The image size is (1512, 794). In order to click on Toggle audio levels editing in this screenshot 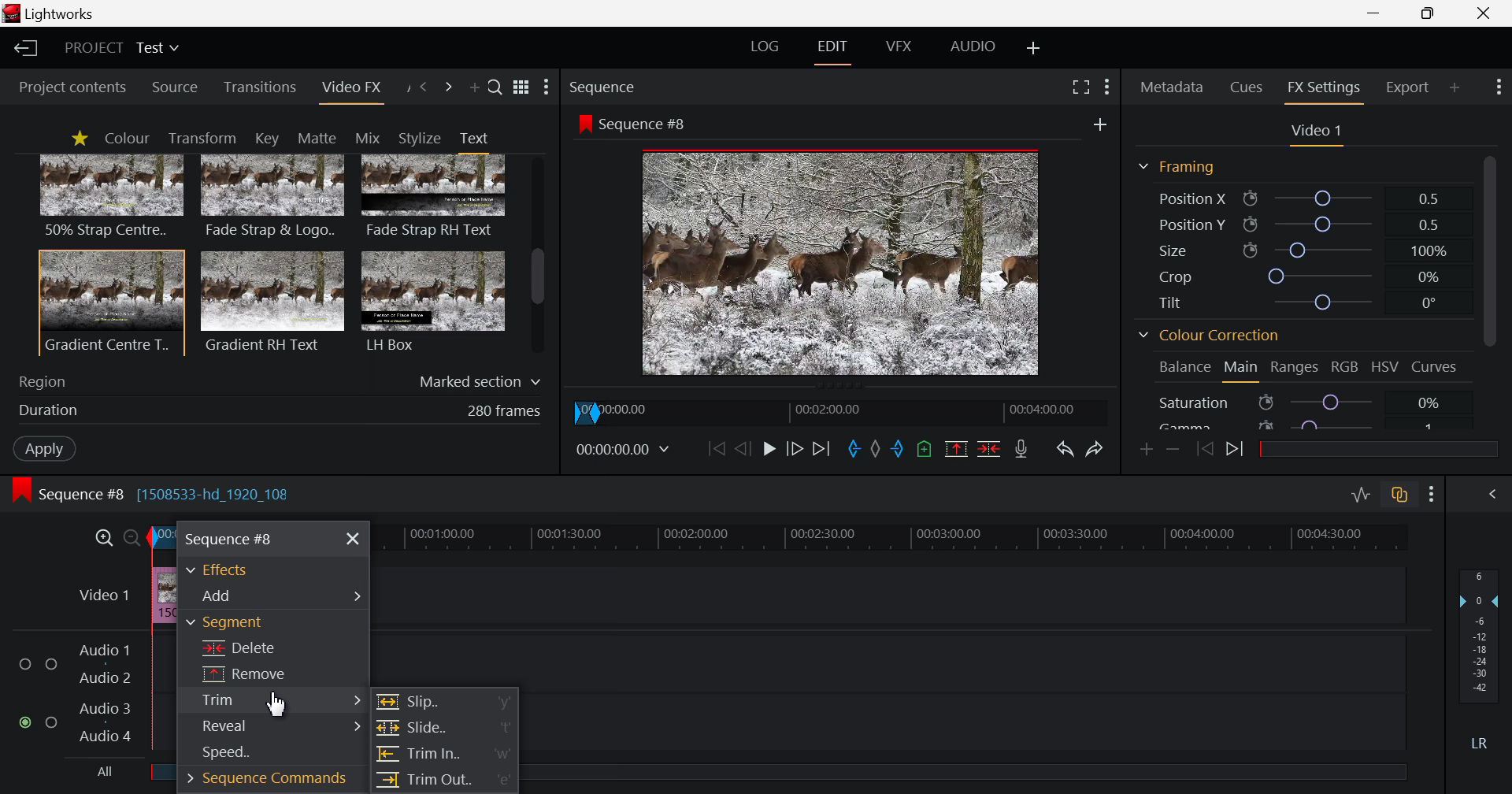, I will do `click(1364, 495)`.